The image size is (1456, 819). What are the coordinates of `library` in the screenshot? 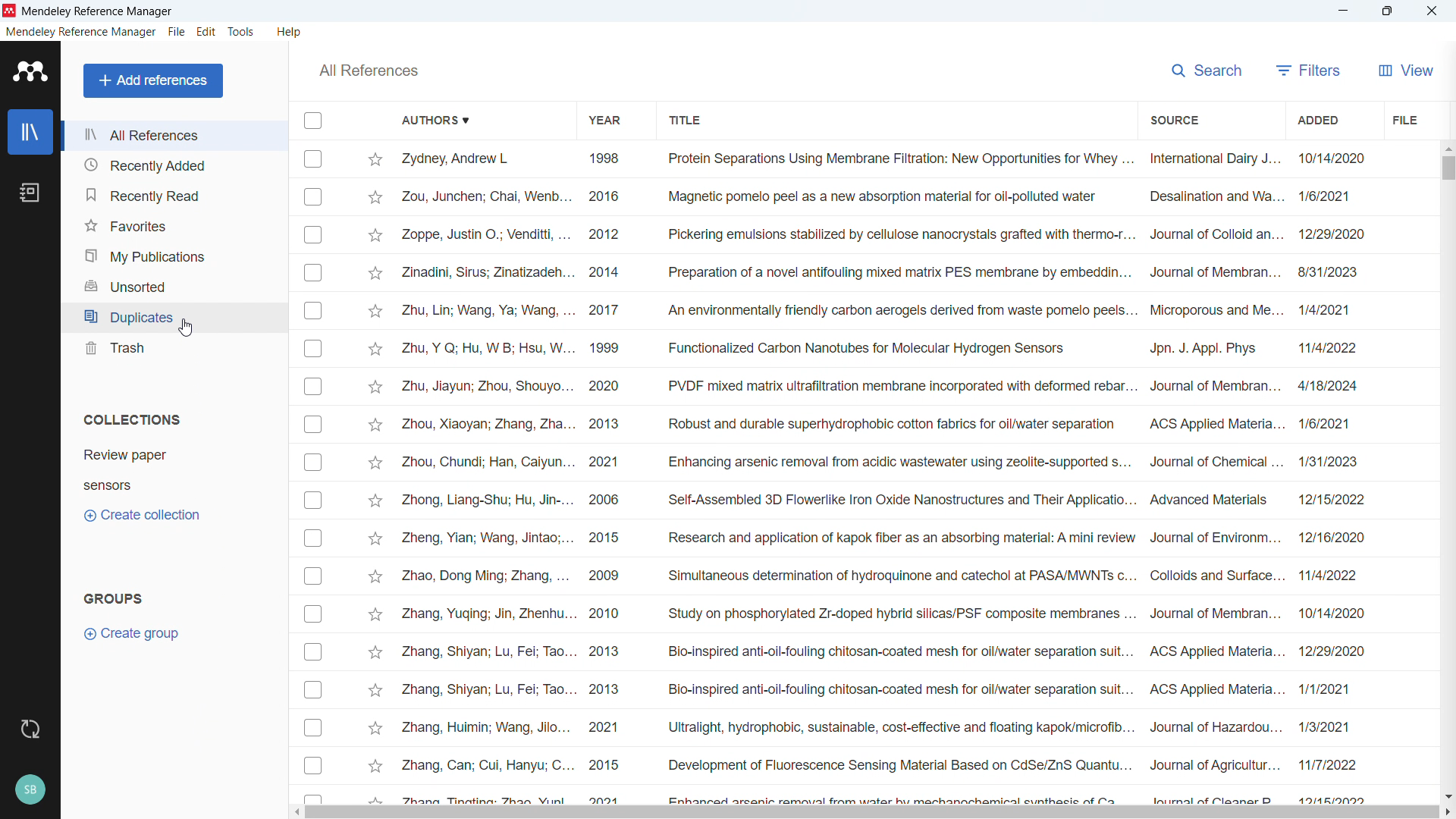 It's located at (30, 133).